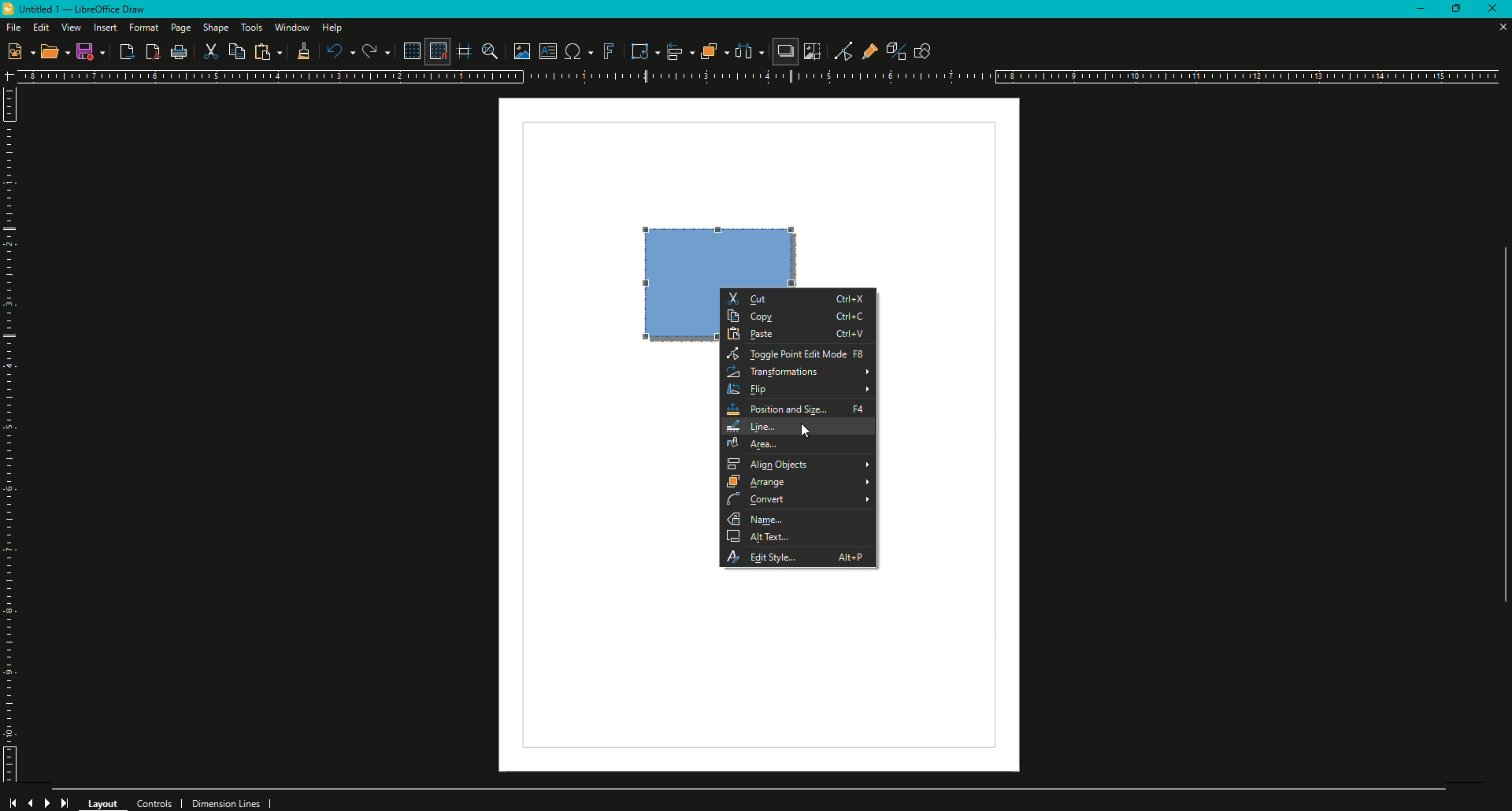 The image size is (1512, 811). What do you see at coordinates (799, 335) in the screenshot?
I see `Paste` at bounding box center [799, 335].